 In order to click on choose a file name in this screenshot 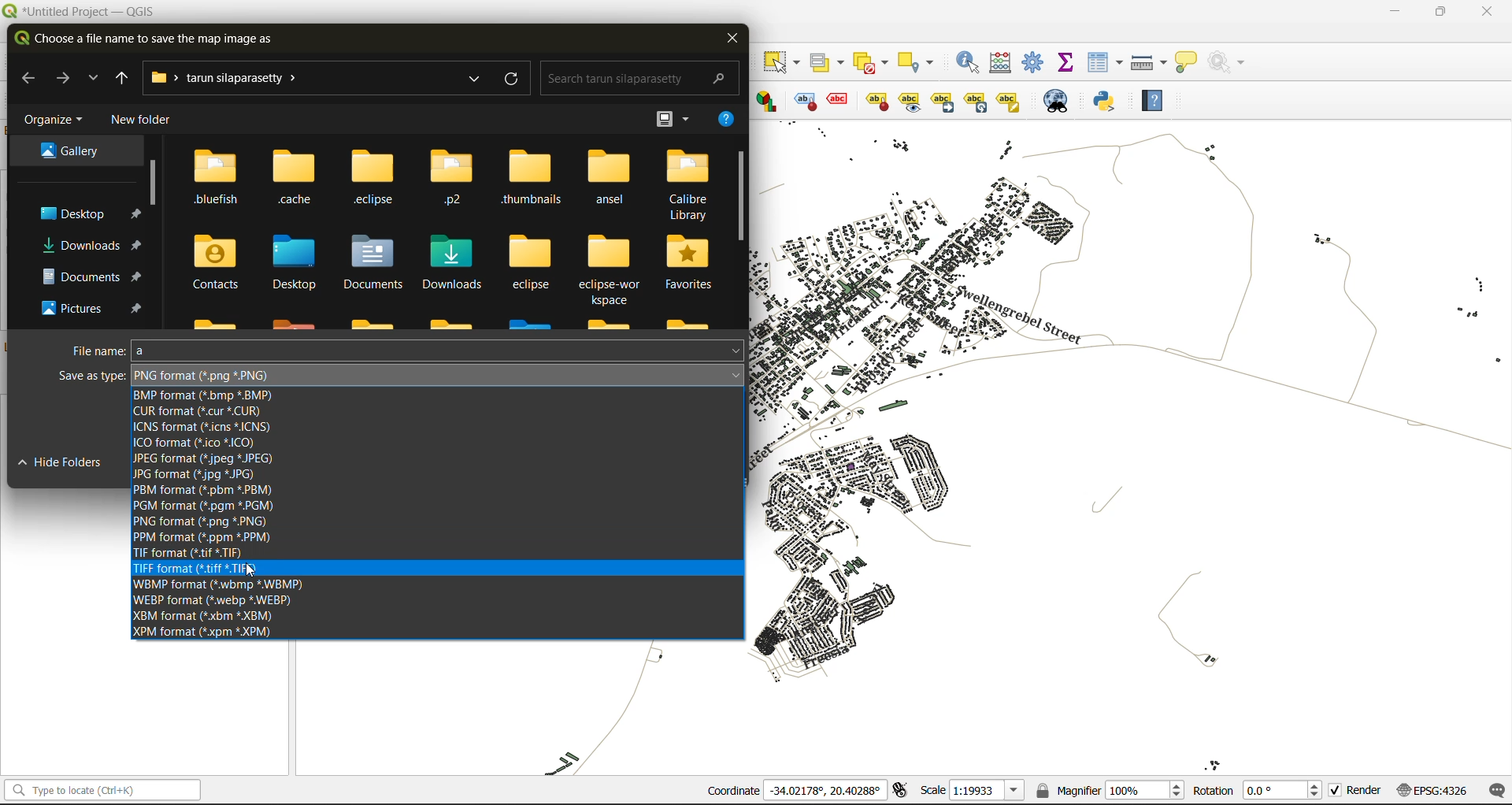, I will do `click(147, 40)`.